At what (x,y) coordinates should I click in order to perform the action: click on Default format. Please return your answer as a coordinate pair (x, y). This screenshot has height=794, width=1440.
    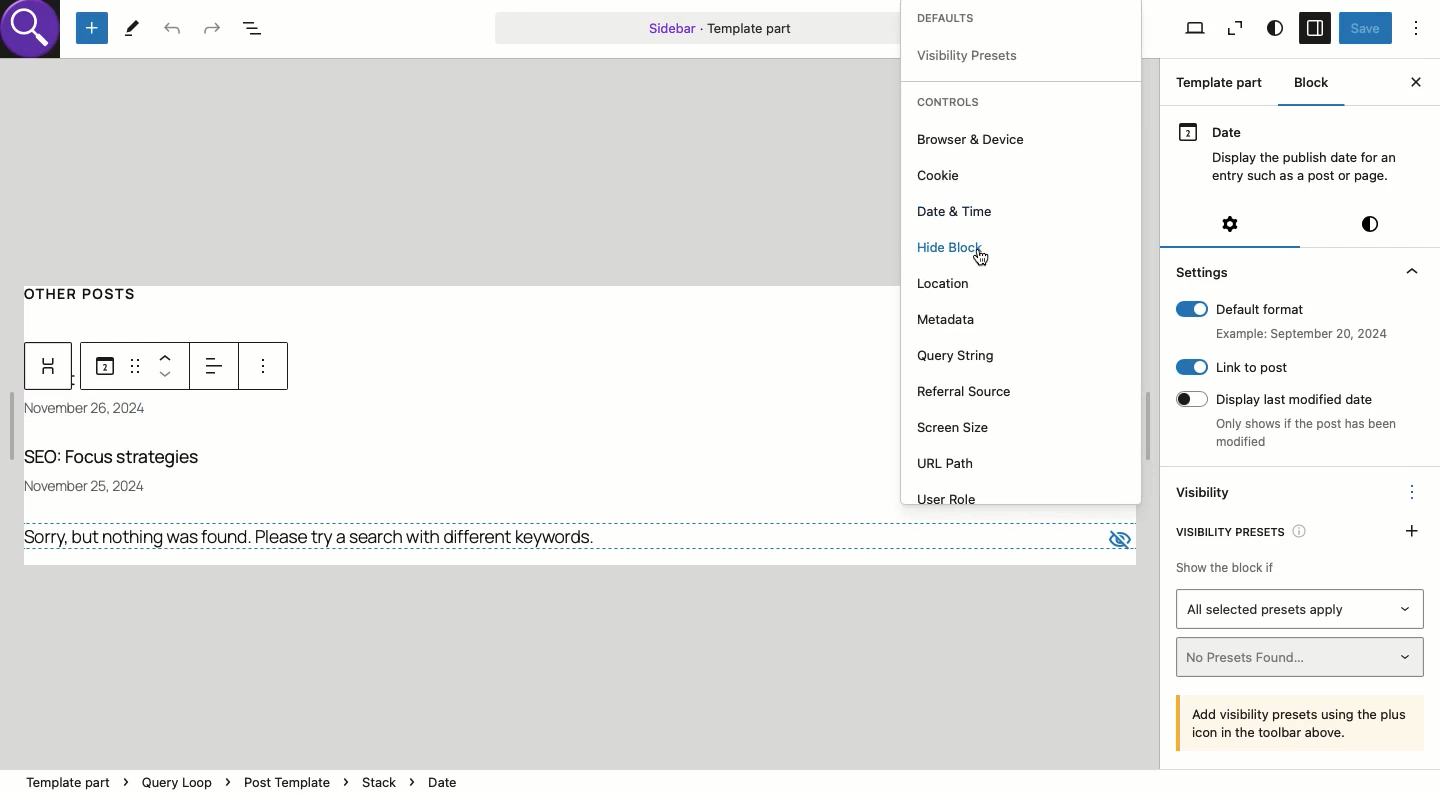
    Looking at the image, I should click on (1281, 309).